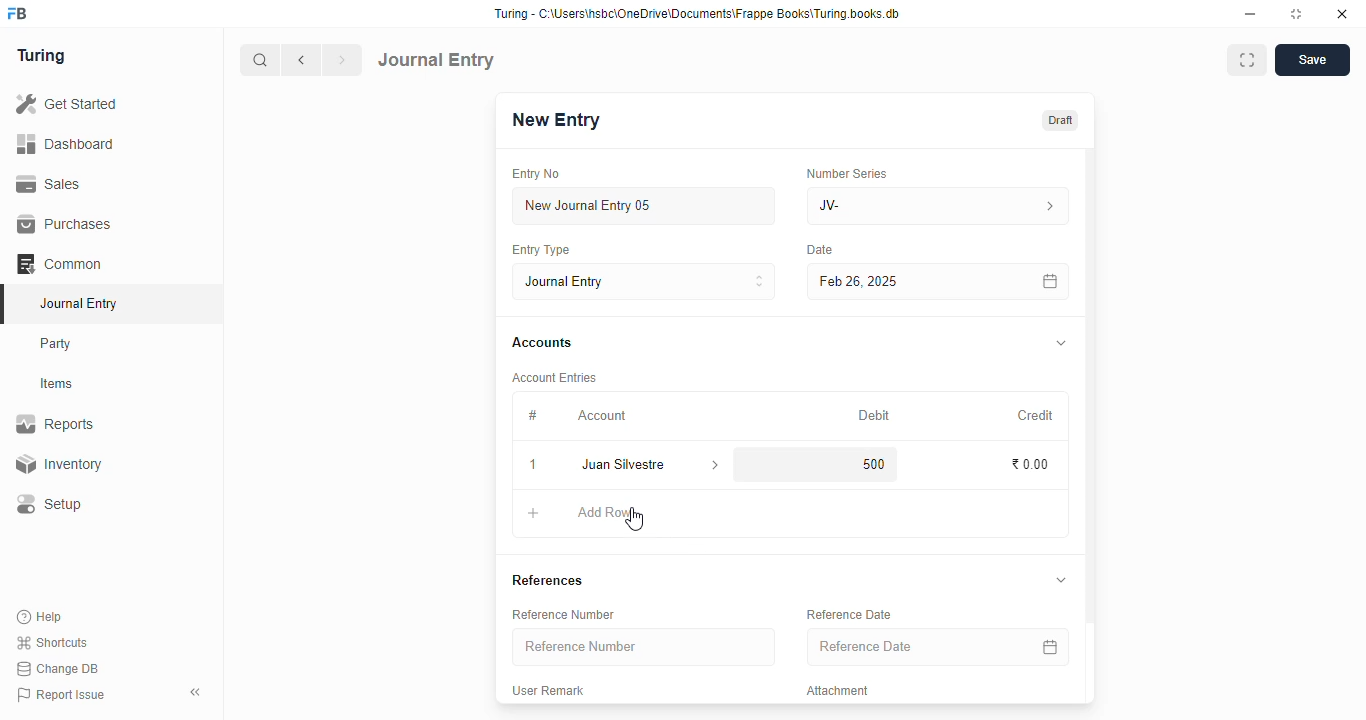 The width and height of the screenshot is (1366, 720). Describe the element at coordinates (61, 264) in the screenshot. I see `common` at that location.